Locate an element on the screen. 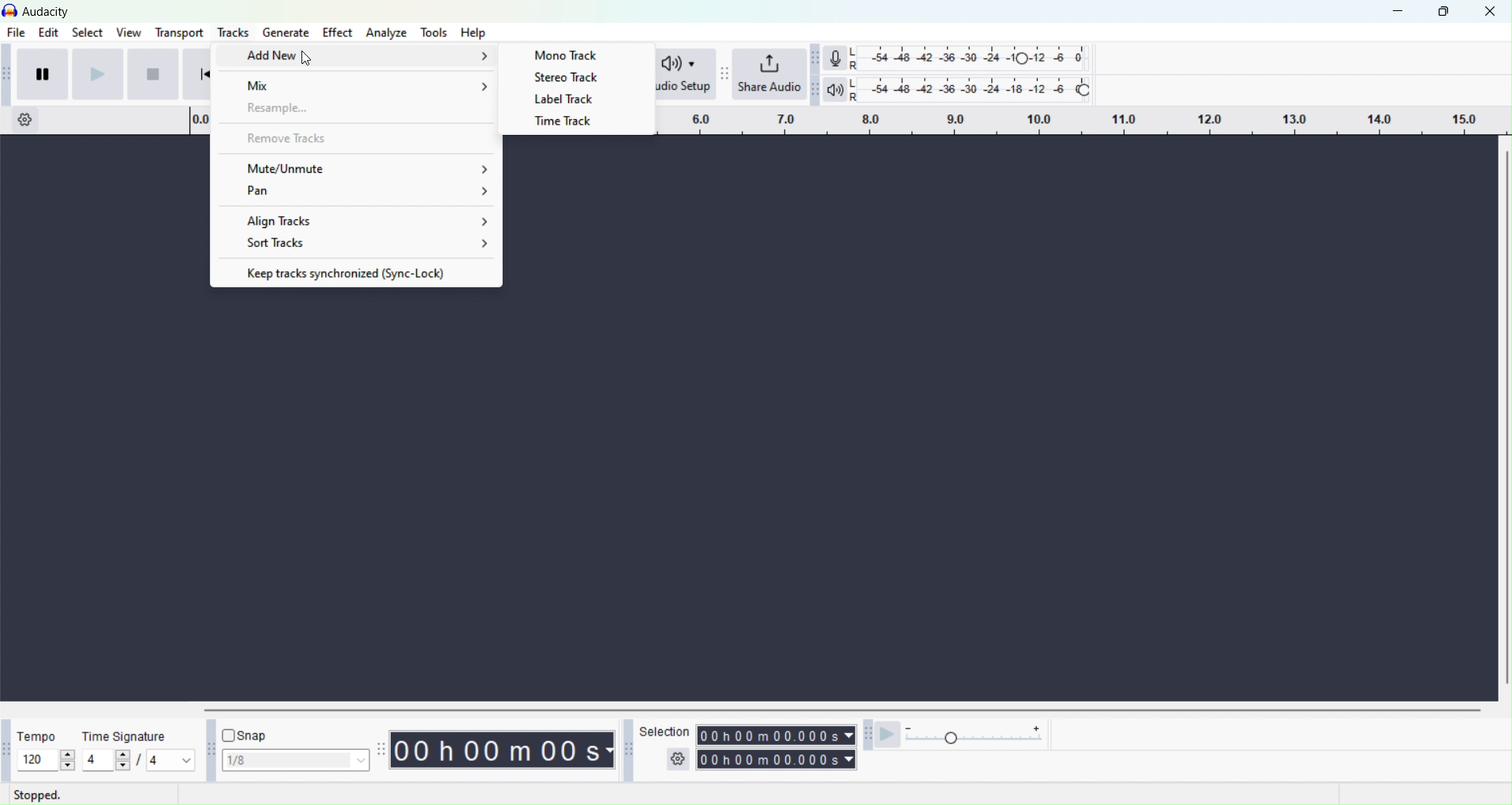 This screenshot has width=1512, height=805. Skip to start is located at coordinates (153, 74).